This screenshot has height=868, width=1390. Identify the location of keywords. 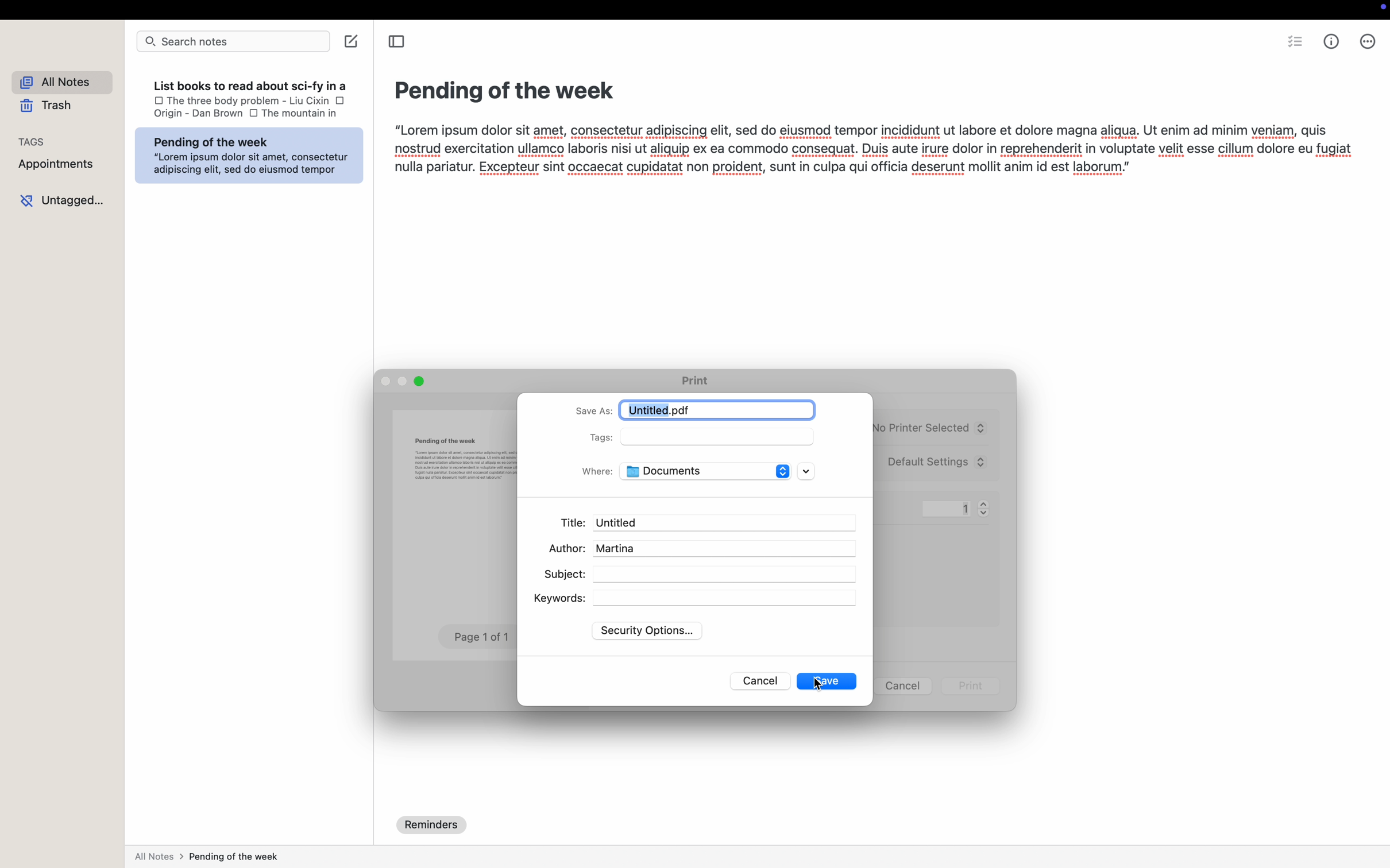
(559, 598).